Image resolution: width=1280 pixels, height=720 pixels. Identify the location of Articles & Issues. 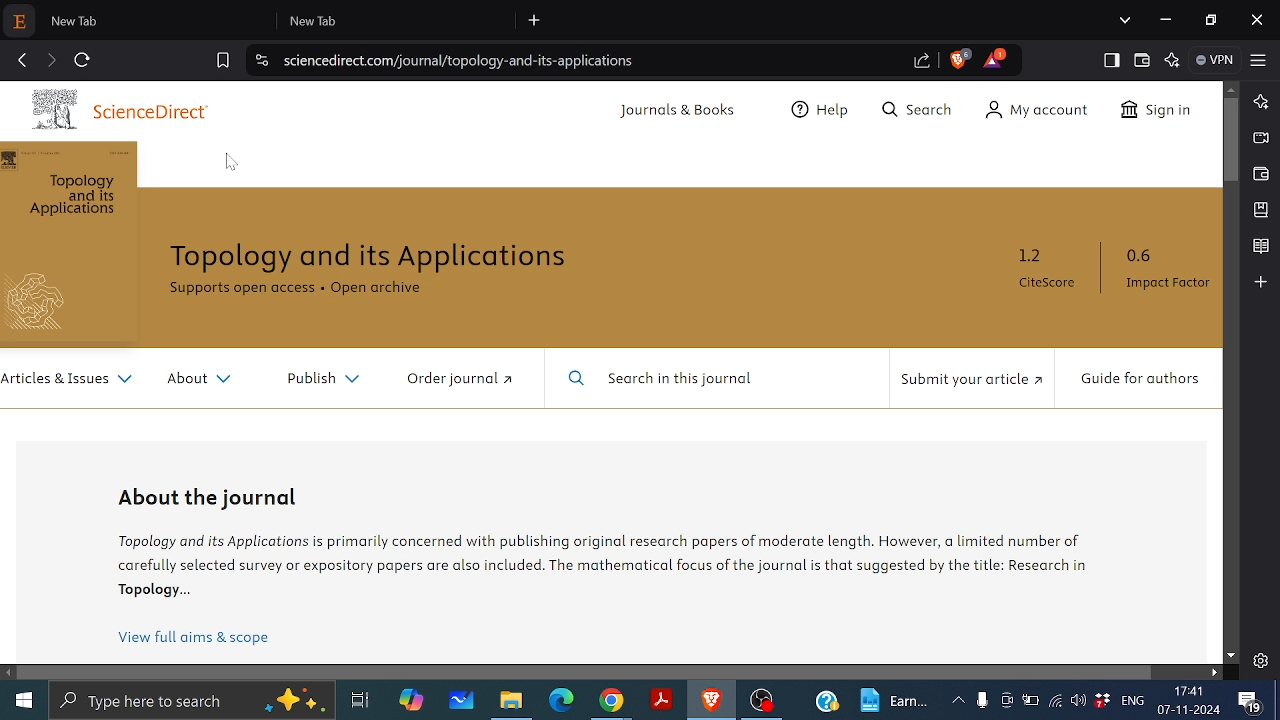
(69, 380).